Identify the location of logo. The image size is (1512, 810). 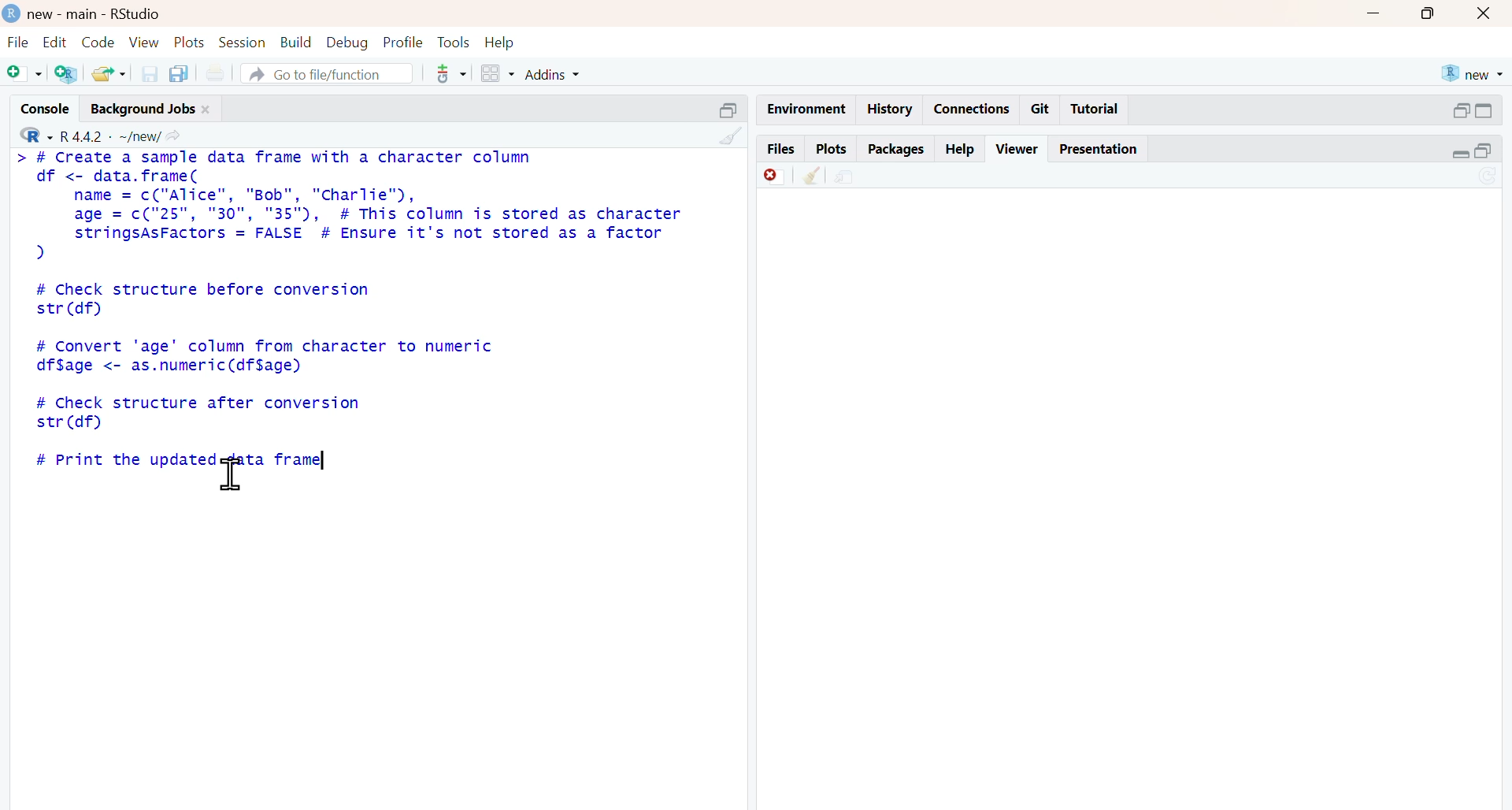
(13, 13).